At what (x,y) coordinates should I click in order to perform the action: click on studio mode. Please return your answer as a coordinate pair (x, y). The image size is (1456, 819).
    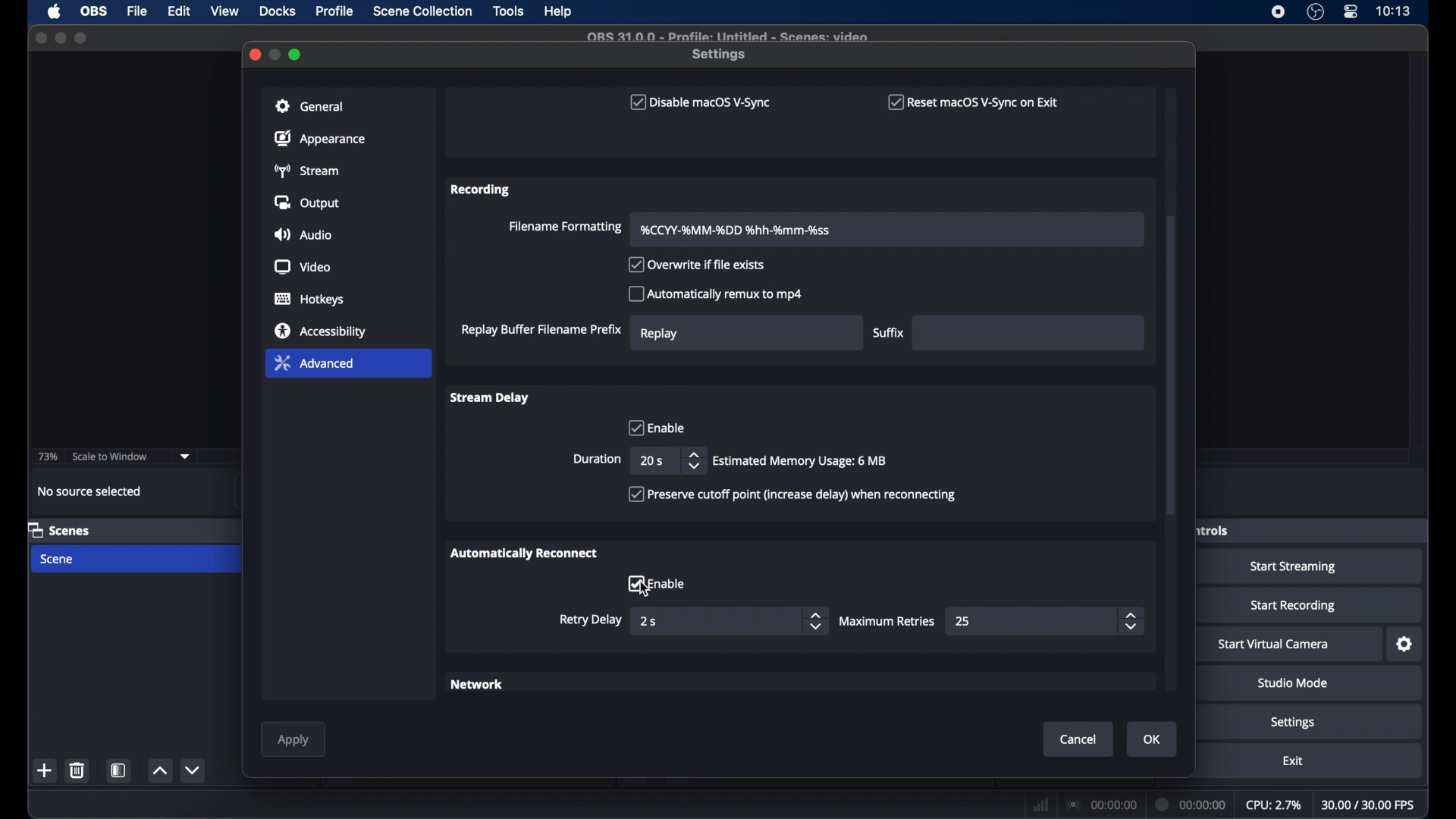
    Looking at the image, I should click on (1293, 684).